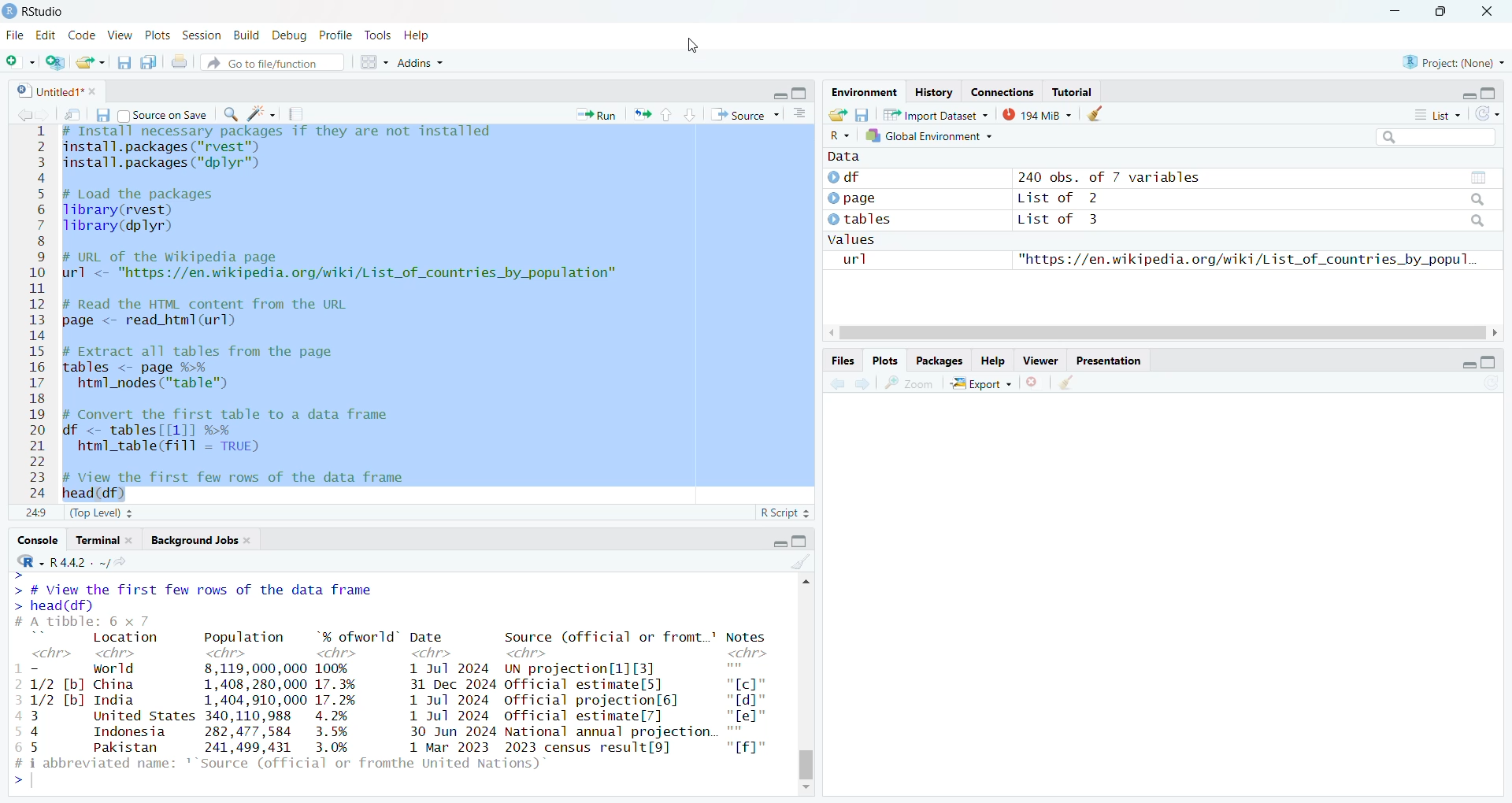 The height and width of the screenshot is (803, 1512). What do you see at coordinates (1061, 198) in the screenshot?
I see `List of 2` at bounding box center [1061, 198].